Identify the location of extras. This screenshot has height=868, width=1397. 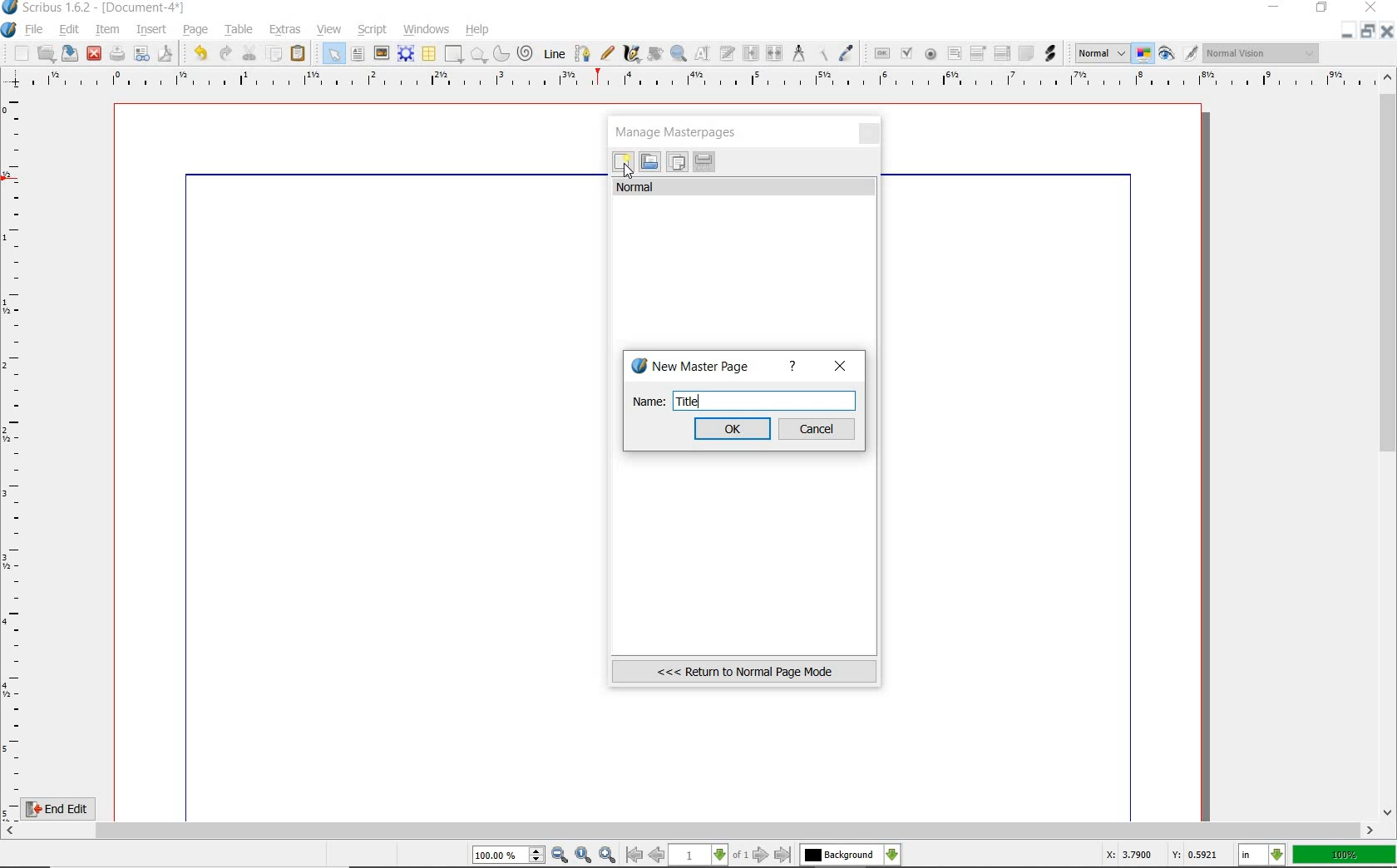
(286, 30).